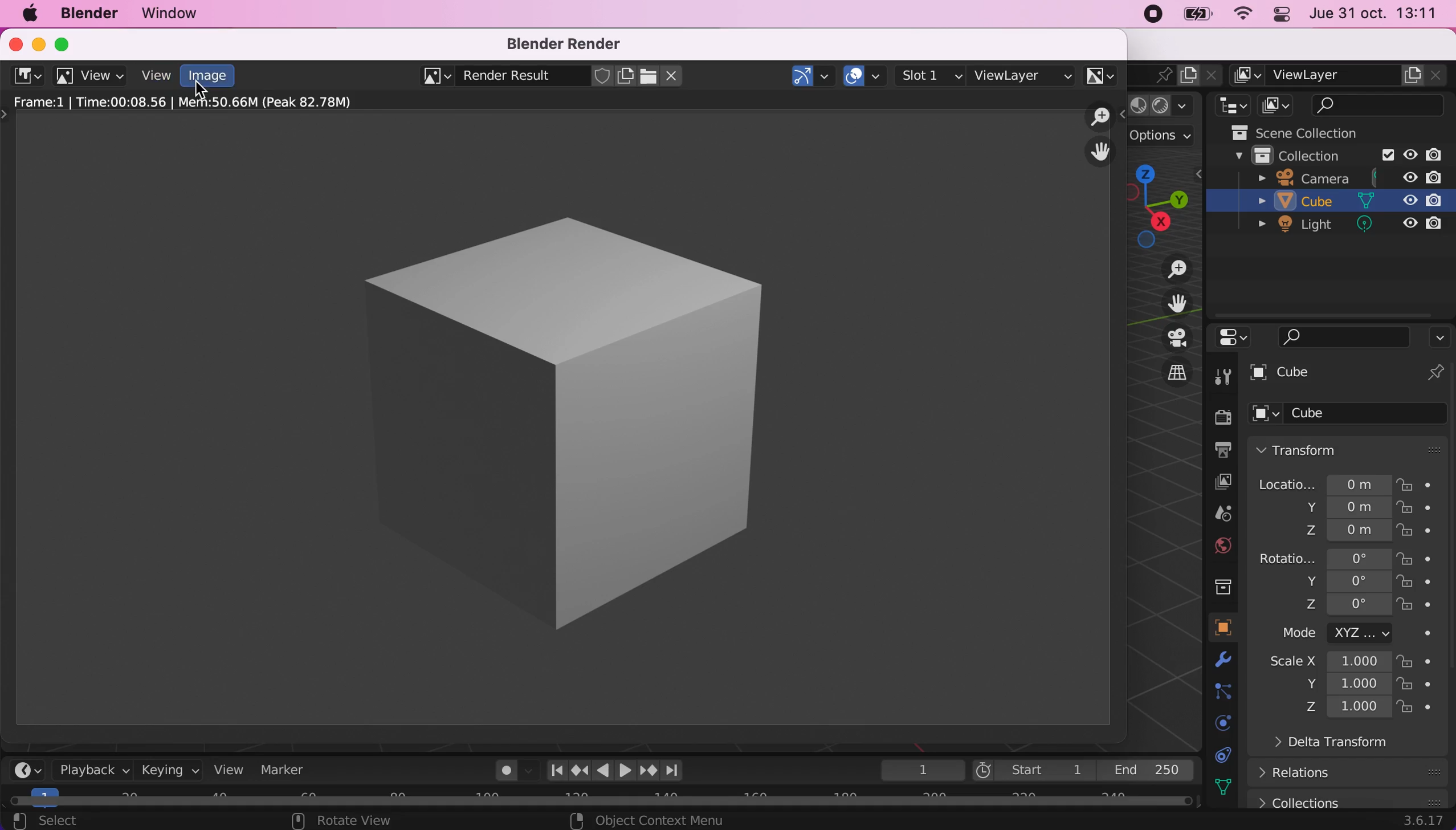  What do you see at coordinates (169, 771) in the screenshot?
I see `keying` at bounding box center [169, 771].